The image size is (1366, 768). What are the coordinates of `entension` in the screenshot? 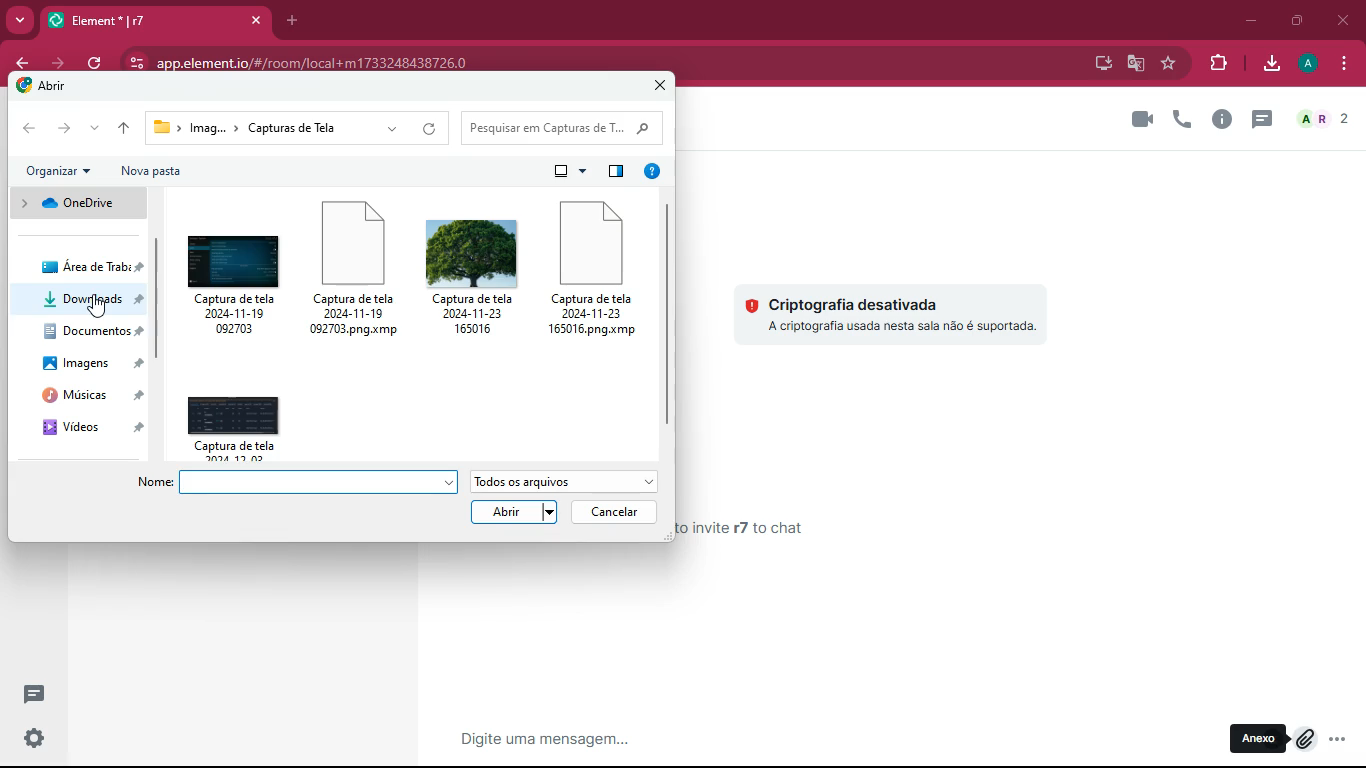 It's located at (1214, 64).